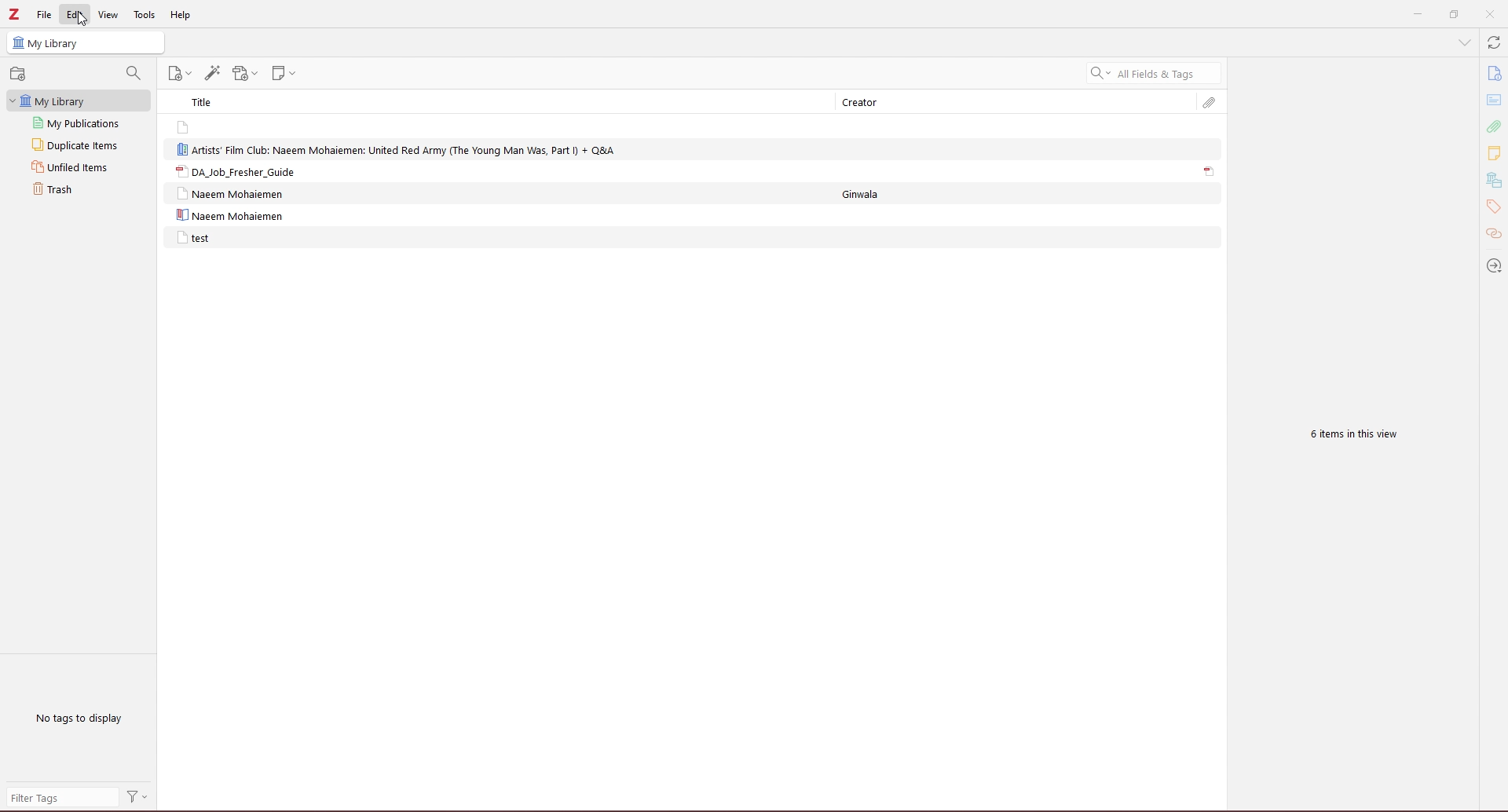 This screenshot has width=1508, height=812. I want to click on Ginwala, so click(871, 194).